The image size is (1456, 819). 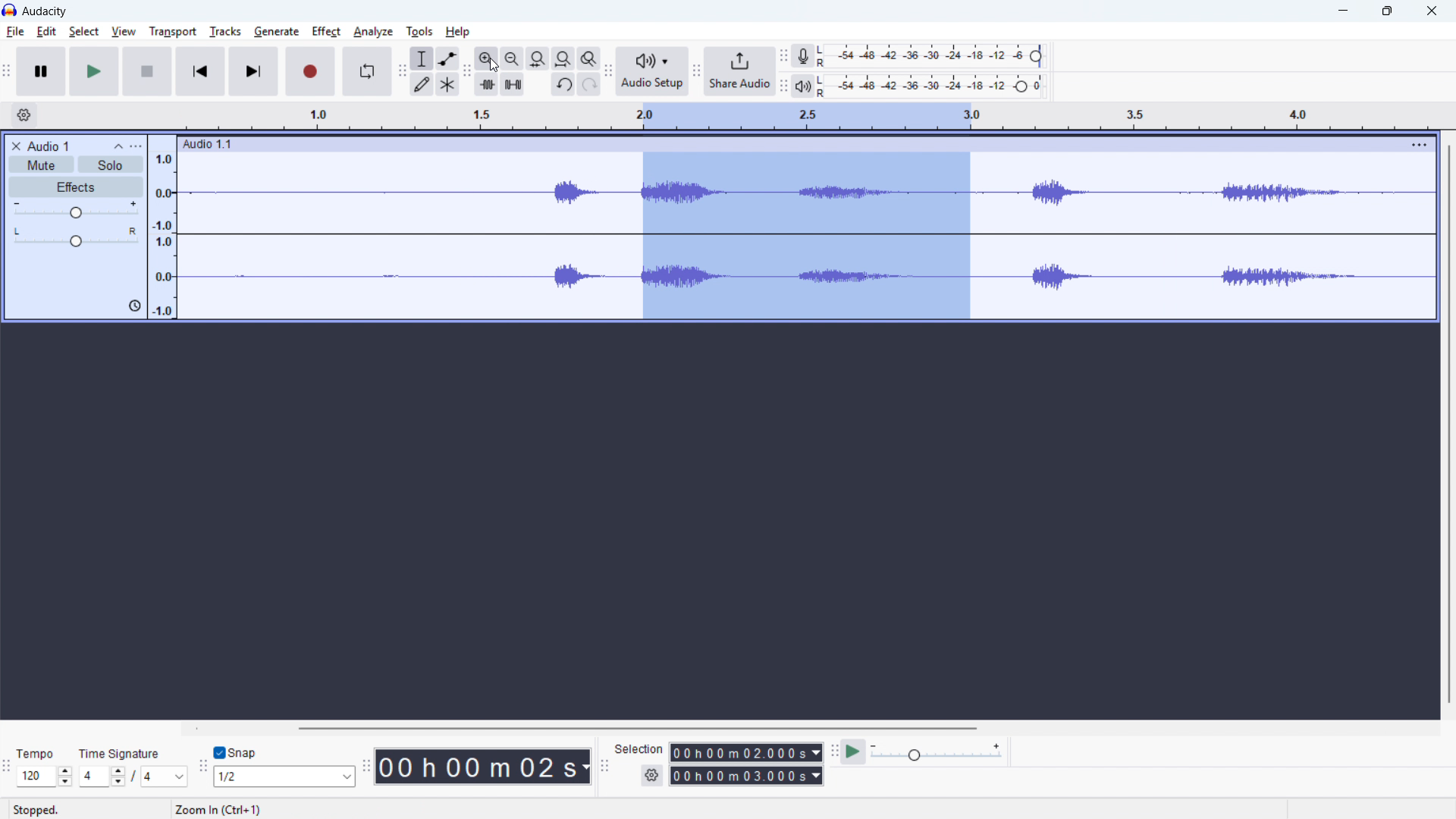 What do you see at coordinates (589, 83) in the screenshot?
I see `redo` at bounding box center [589, 83].